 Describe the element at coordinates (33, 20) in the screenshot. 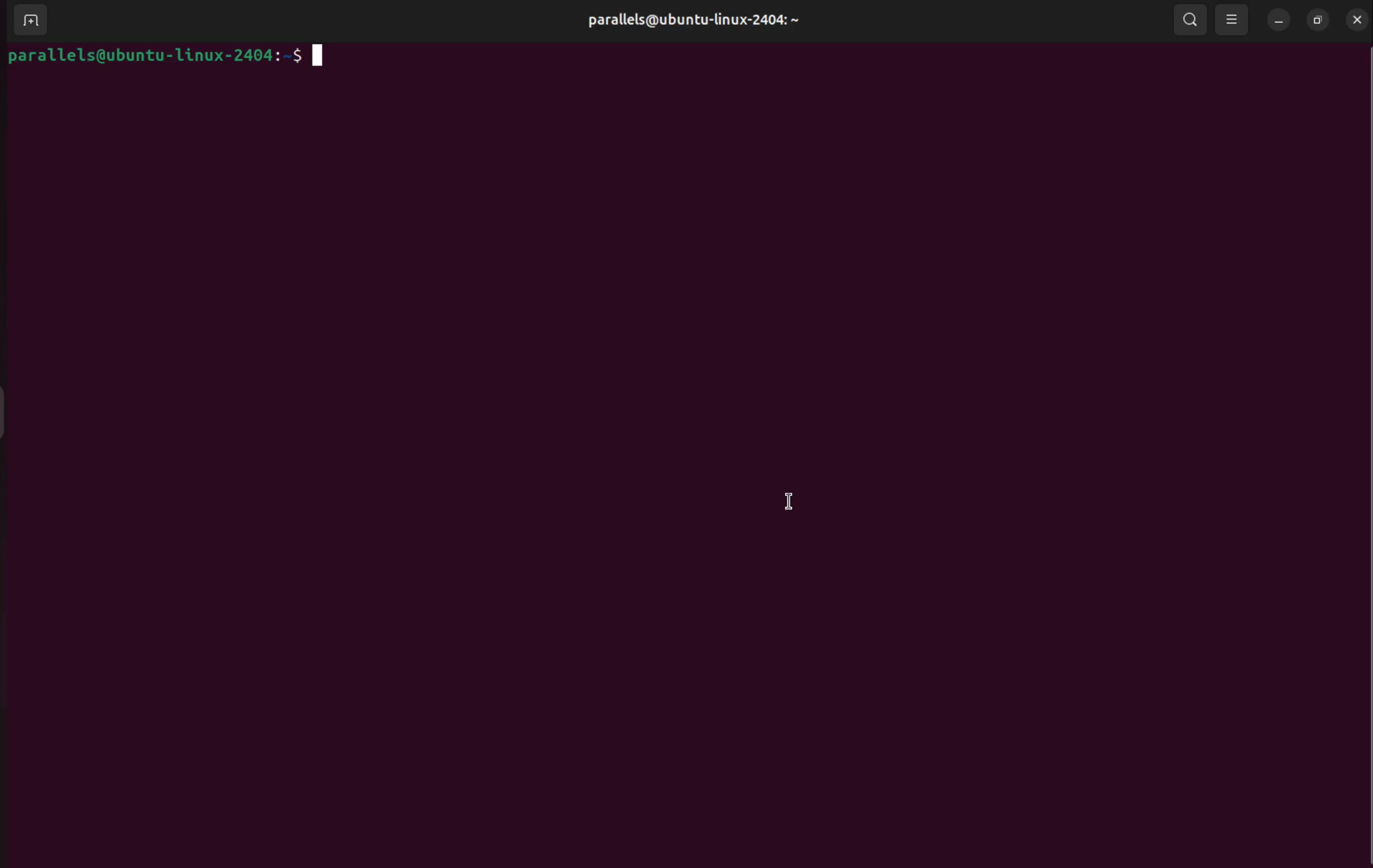

I see `add terminal` at that location.